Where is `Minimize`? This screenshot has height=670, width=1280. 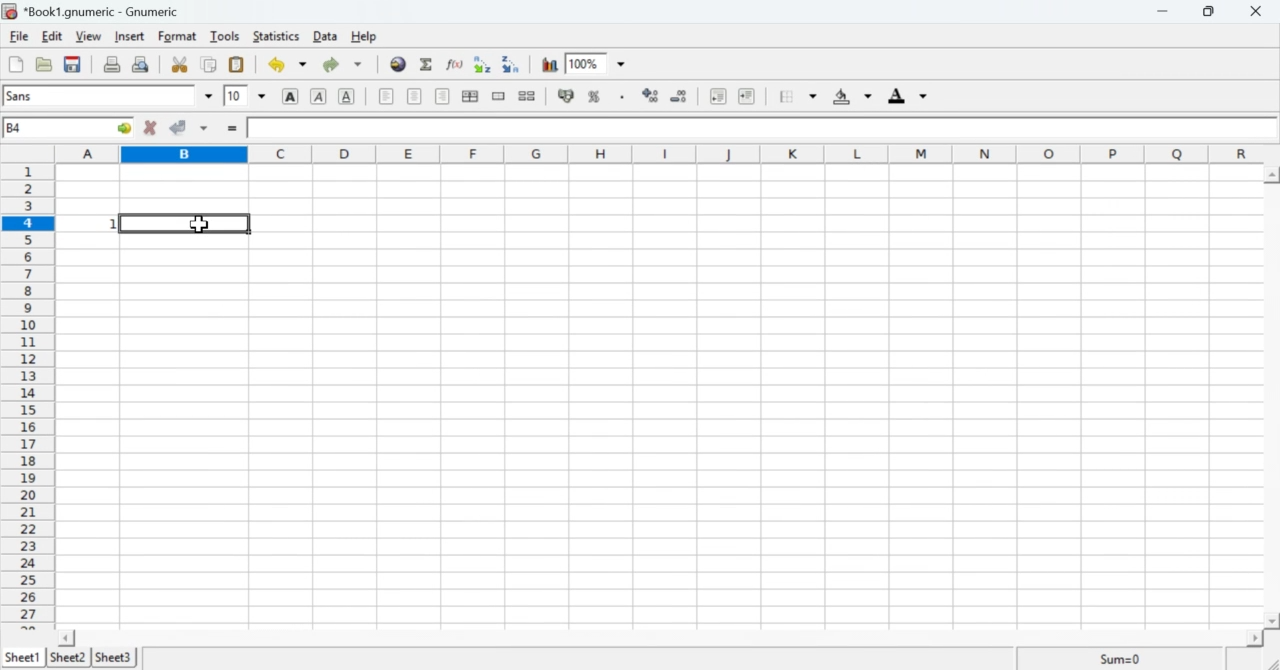
Minimize is located at coordinates (1164, 11).